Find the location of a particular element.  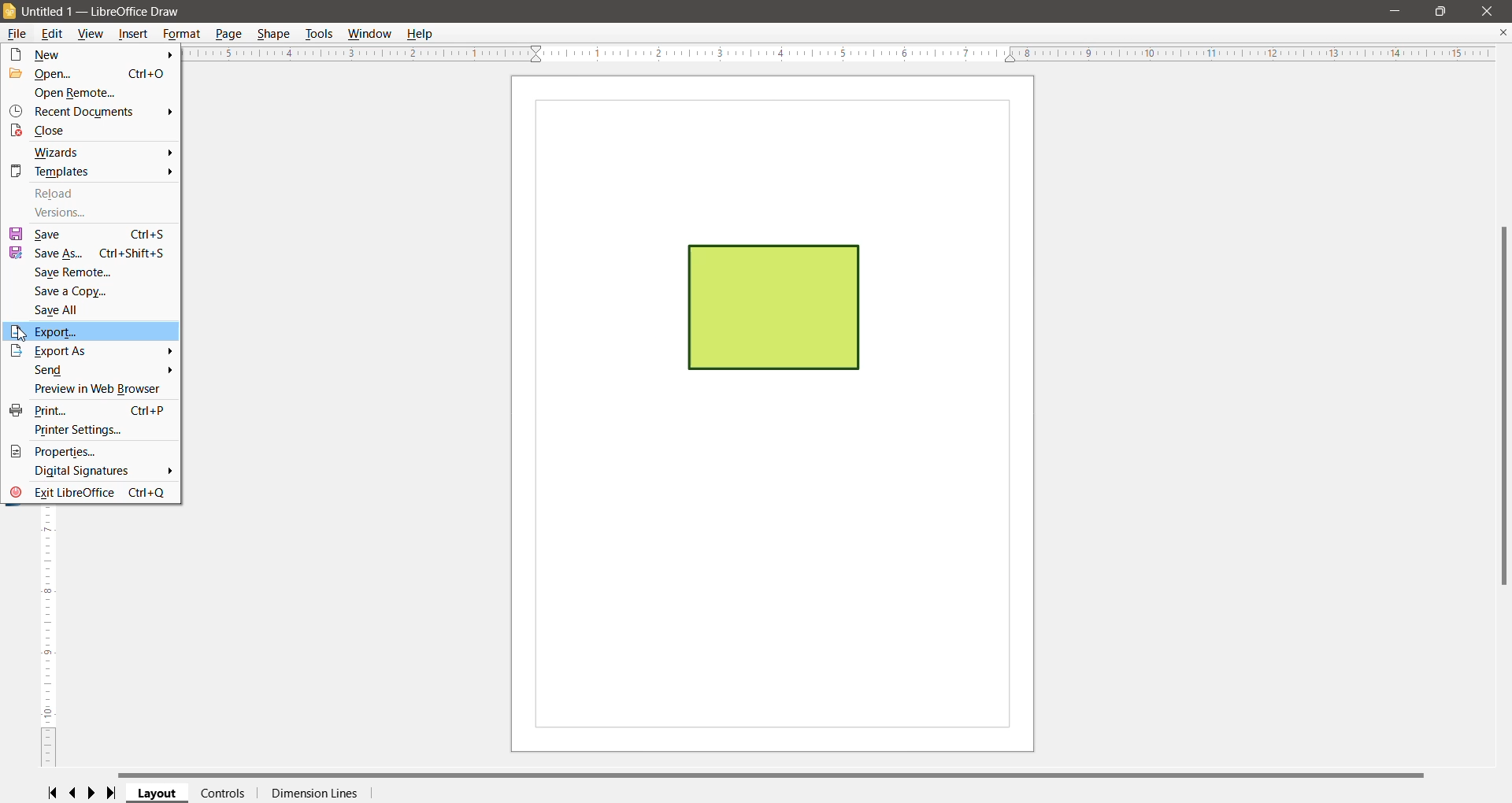

Open is located at coordinates (88, 75).